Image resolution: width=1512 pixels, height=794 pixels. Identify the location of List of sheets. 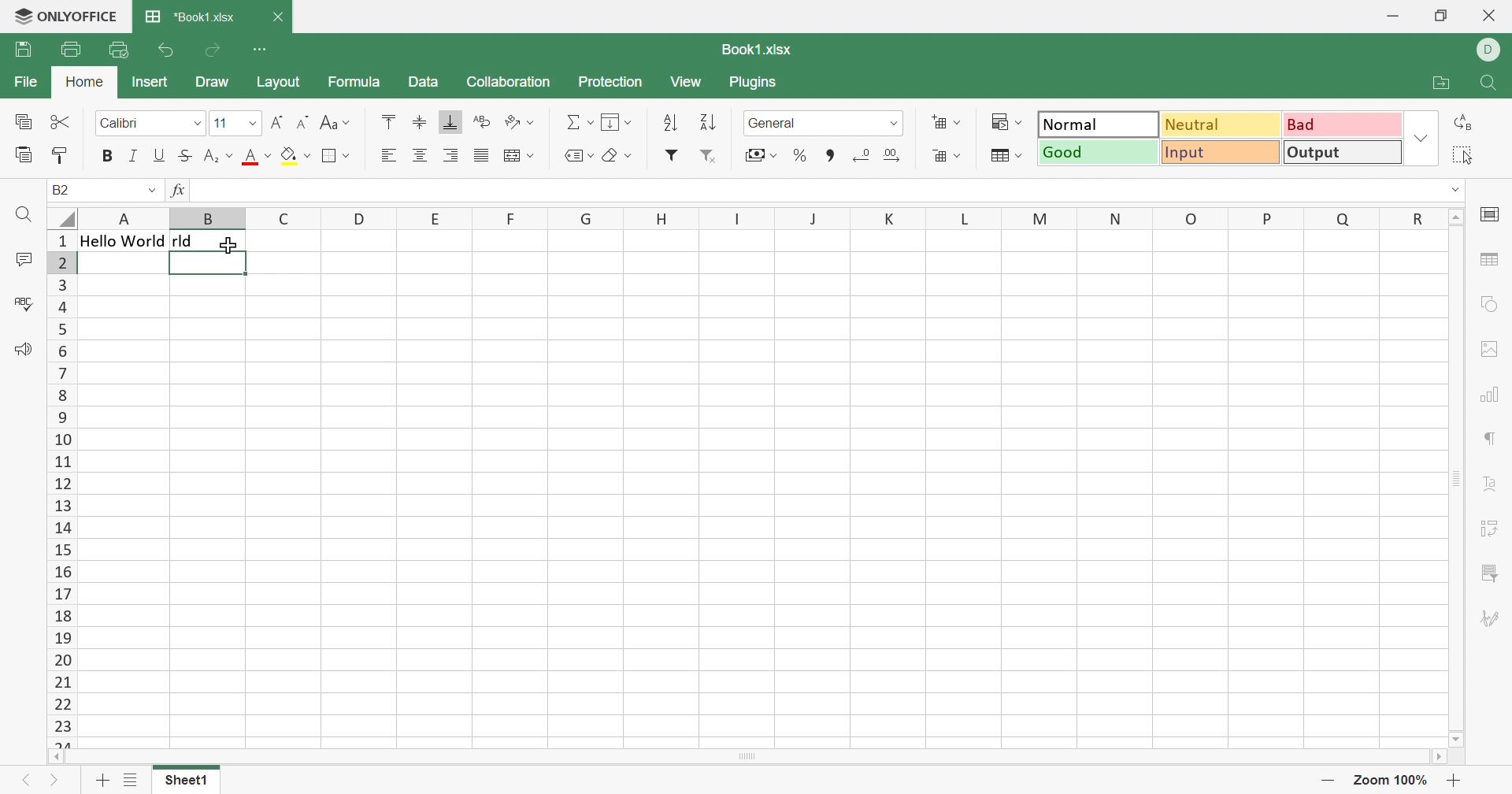
(132, 781).